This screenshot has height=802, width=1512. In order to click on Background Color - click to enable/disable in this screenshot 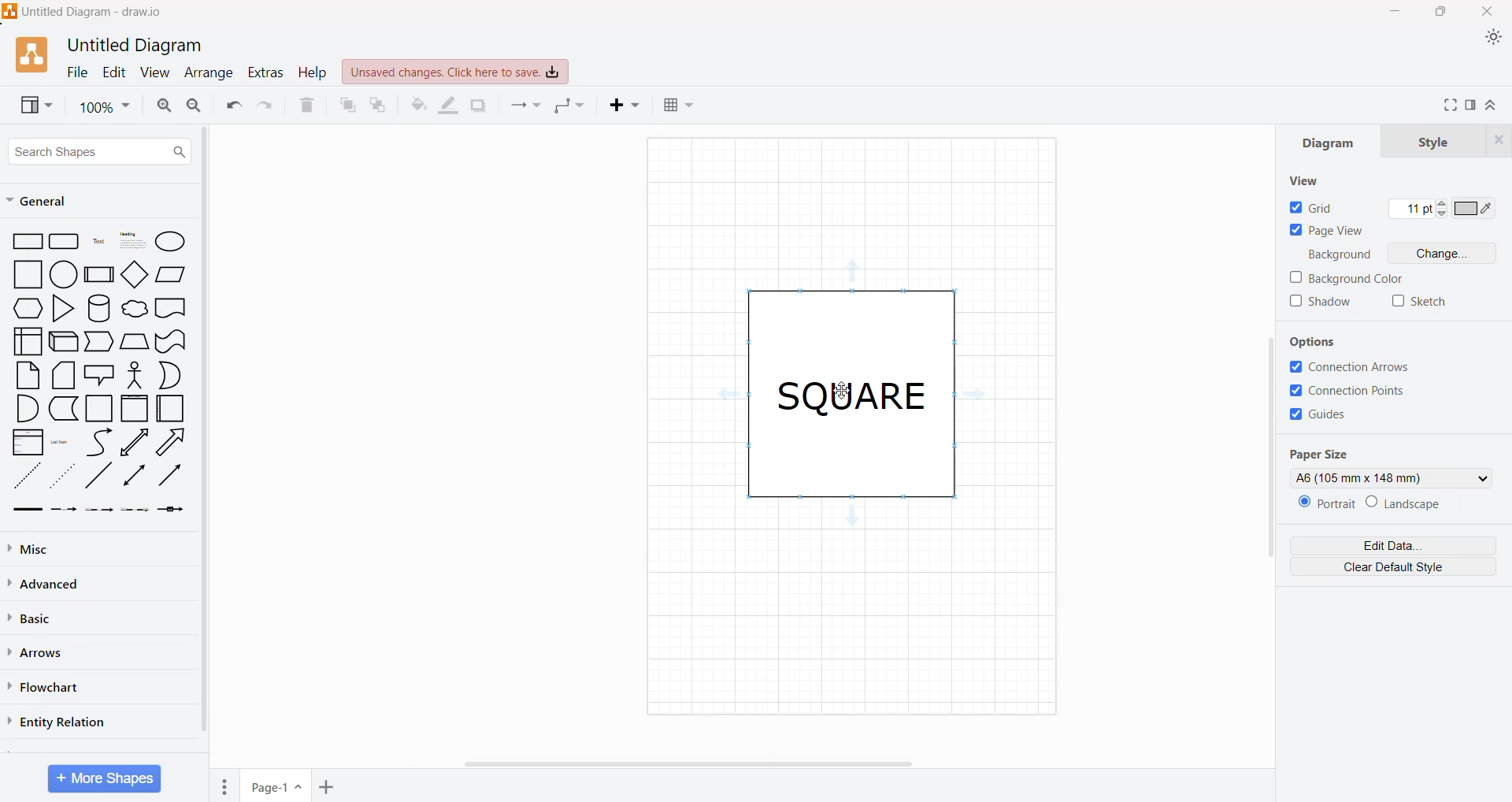, I will do `click(1347, 279)`.